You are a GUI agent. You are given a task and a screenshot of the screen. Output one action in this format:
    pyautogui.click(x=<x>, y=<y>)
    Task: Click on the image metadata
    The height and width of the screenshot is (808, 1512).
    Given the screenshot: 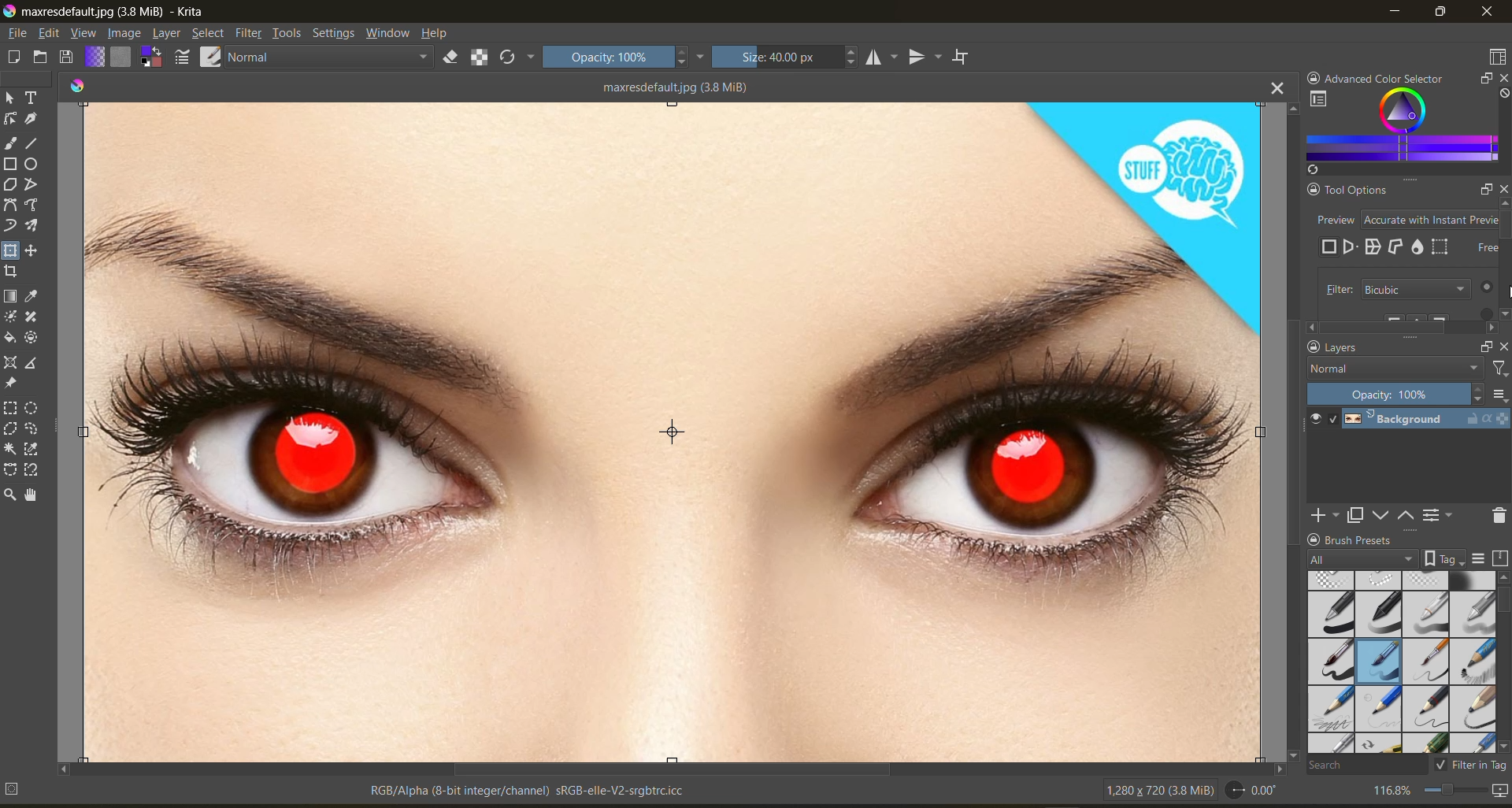 What is the action you would take?
    pyautogui.click(x=1157, y=793)
    